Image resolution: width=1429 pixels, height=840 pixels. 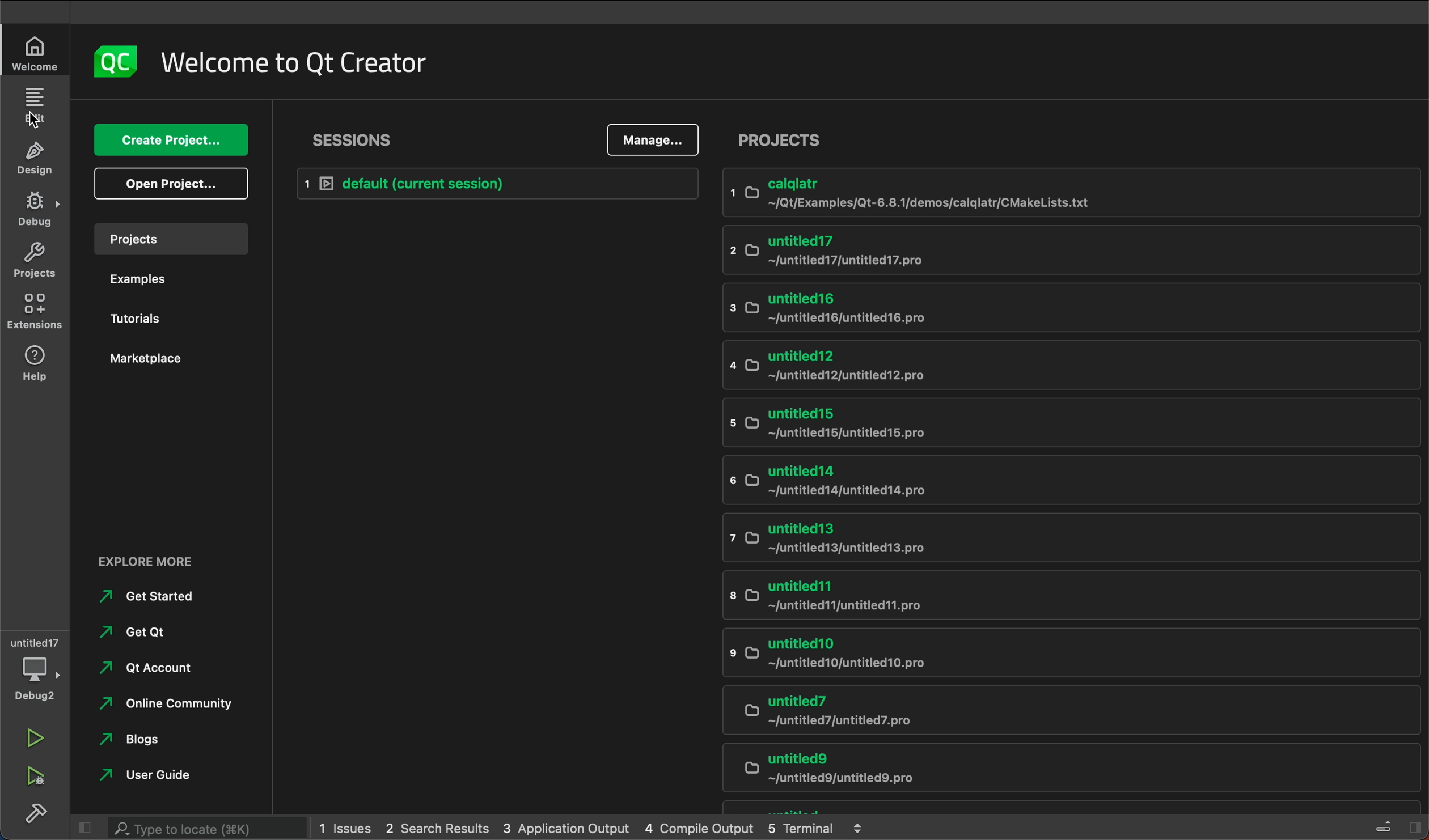 What do you see at coordinates (1052, 538) in the screenshot?
I see `untitled13` at bounding box center [1052, 538].